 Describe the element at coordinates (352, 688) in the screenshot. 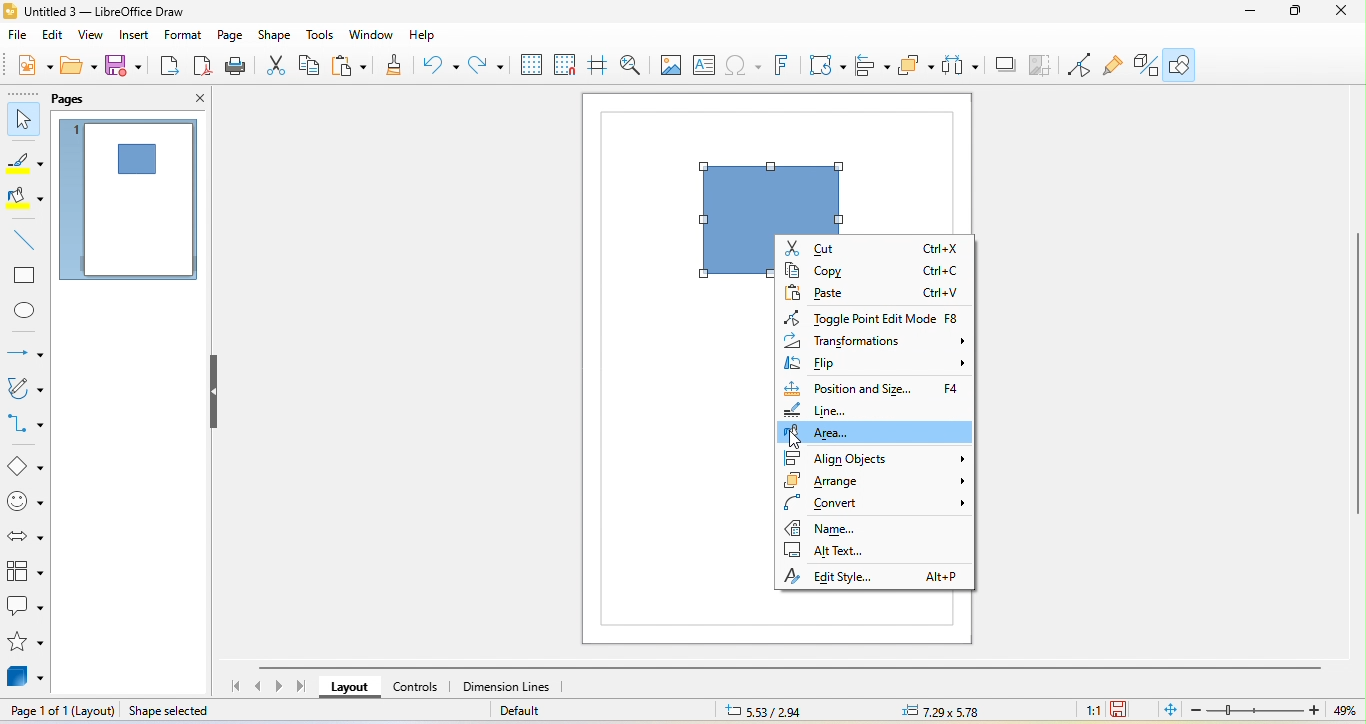

I see `layout` at that location.